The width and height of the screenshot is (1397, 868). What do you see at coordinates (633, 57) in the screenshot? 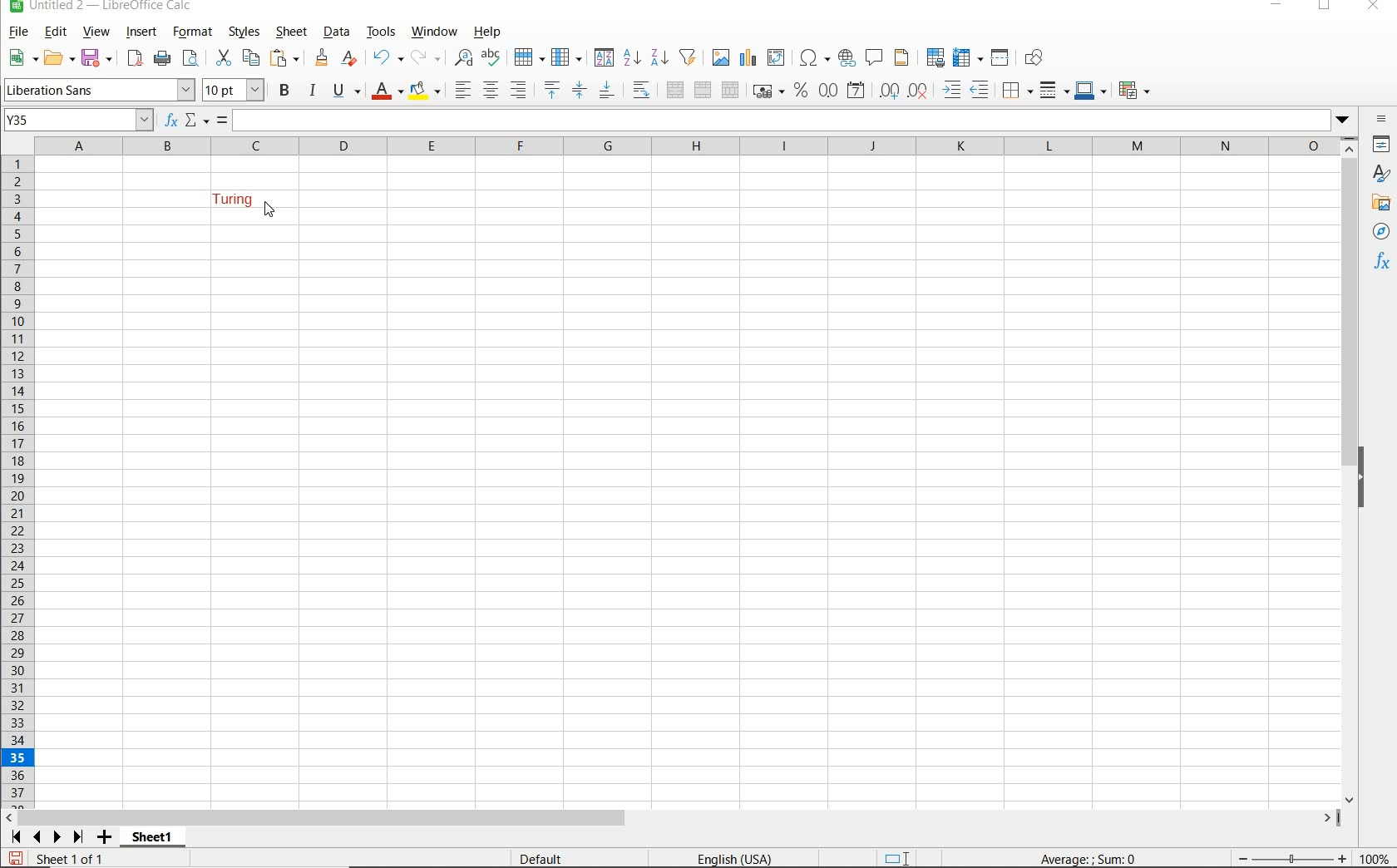
I see `SORT ASCENDING` at bounding box center [633, 57].